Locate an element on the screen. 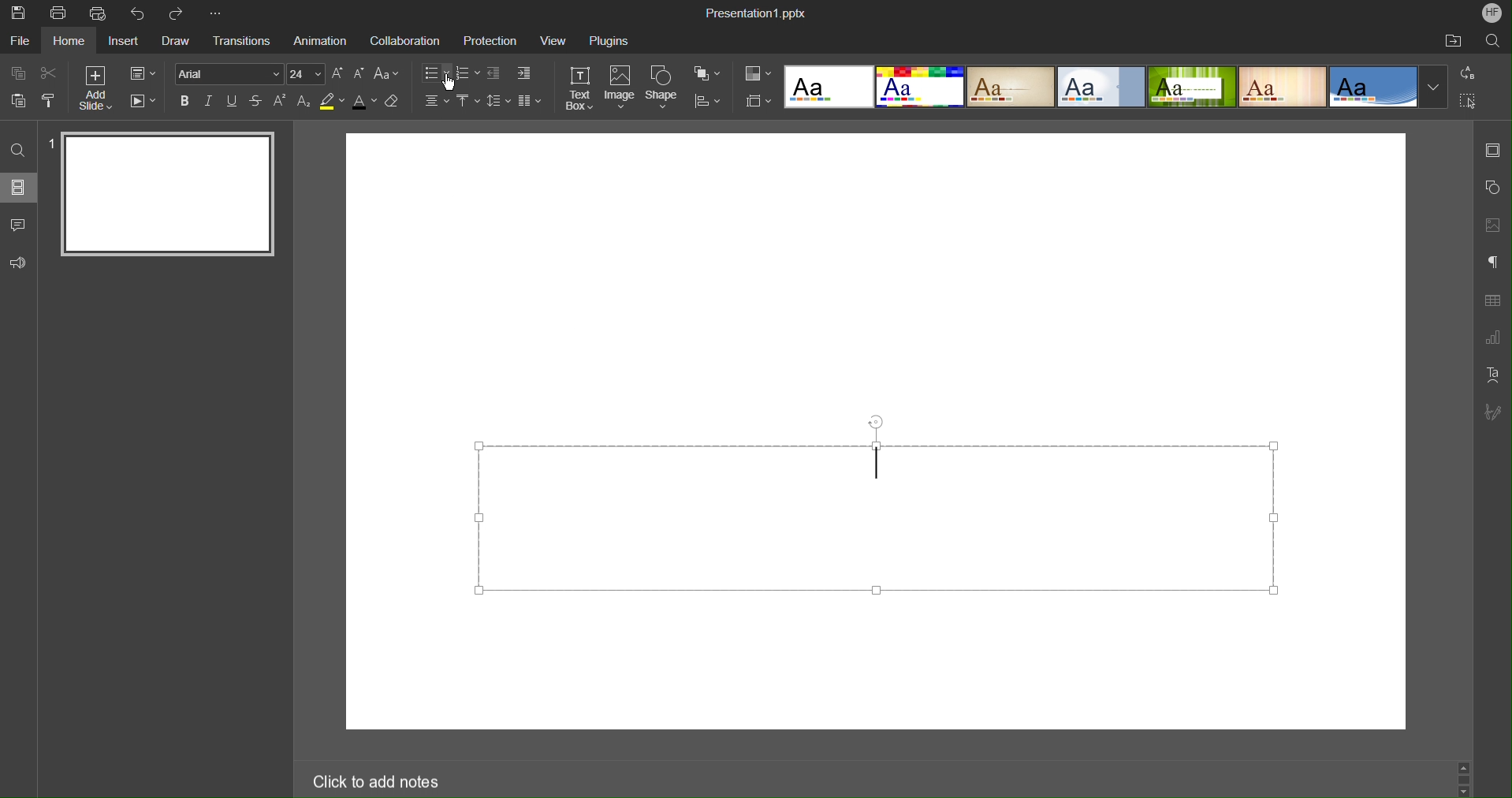 Image resolution: width=1512 pixels, height=798 pixels. Animation is located at coordinates (318, 41).